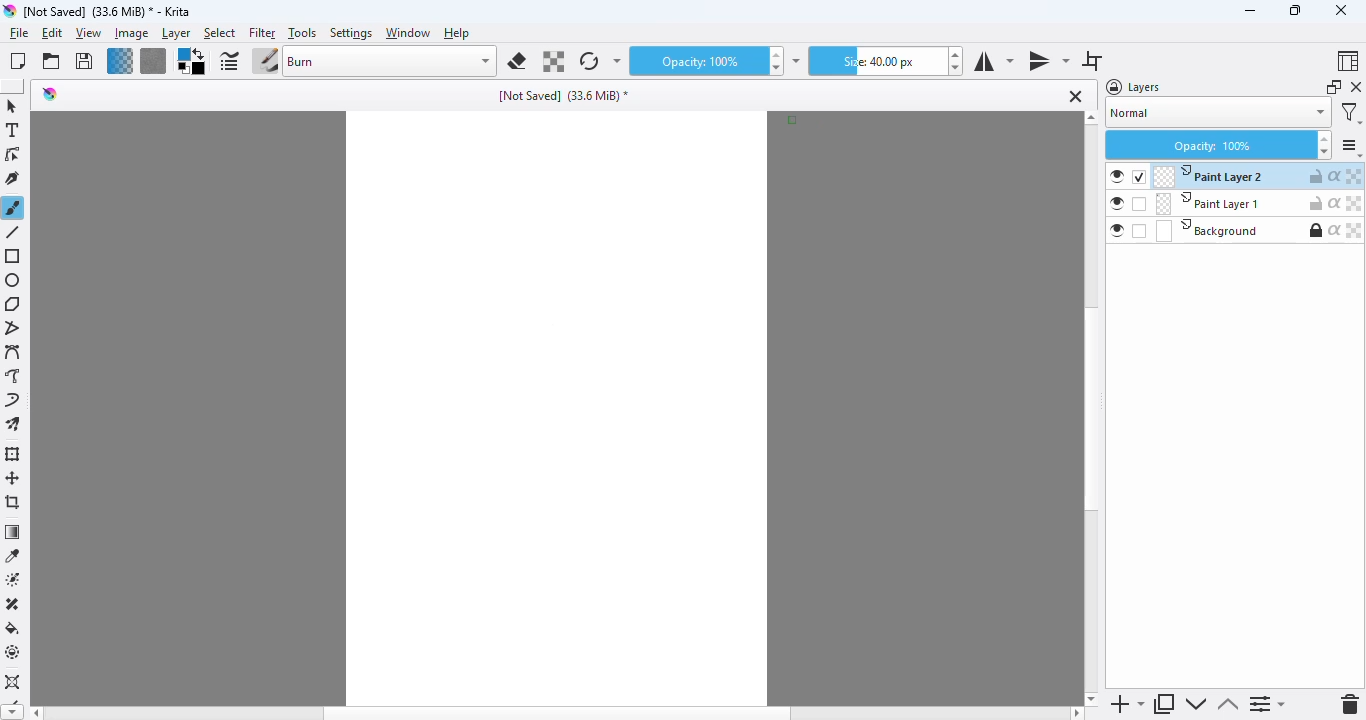 The image size is (1366, 720). Describe the element at coordinates (219, 34) in the screenshot. I see `select` at that location.